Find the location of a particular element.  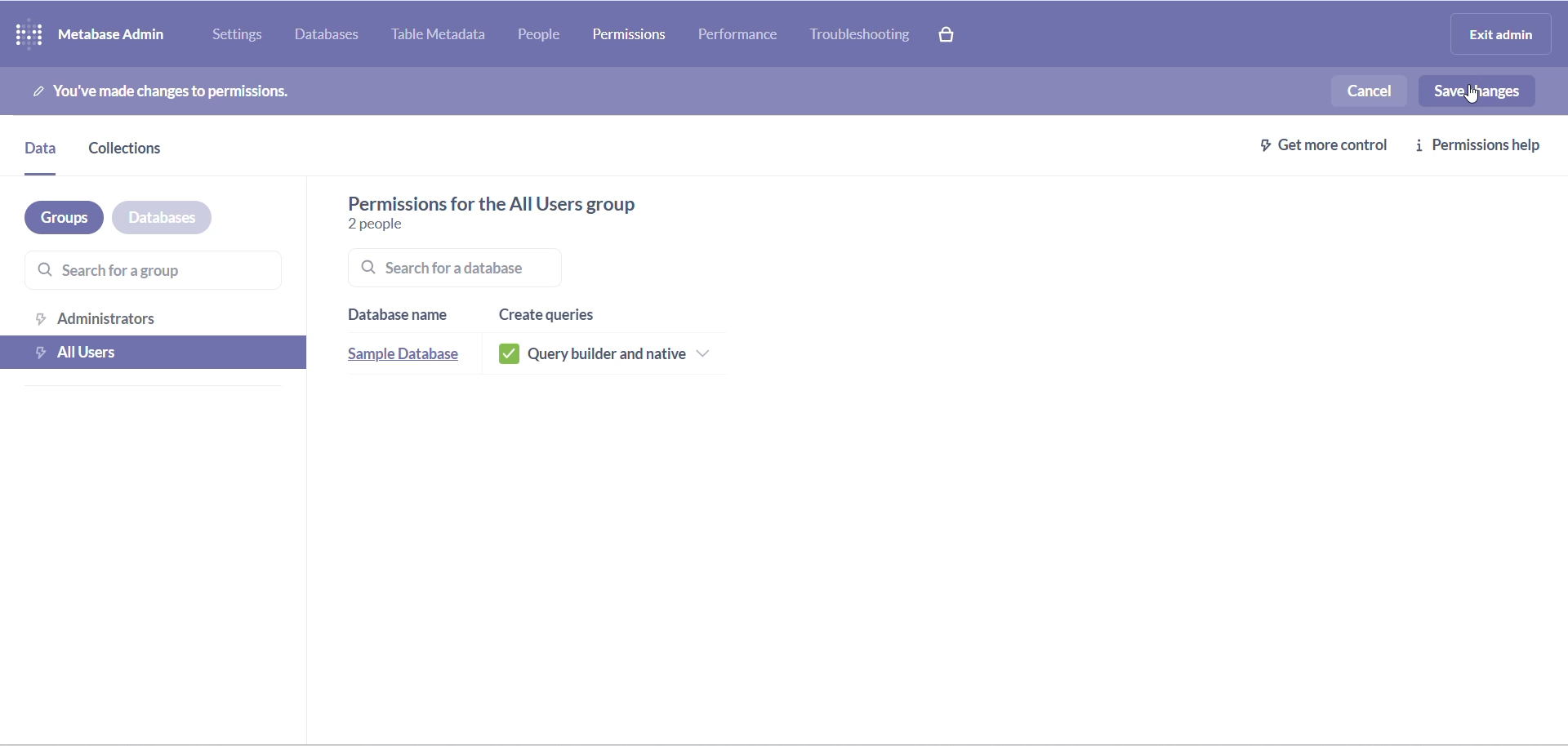

groups is located at coordinates (55, 217).